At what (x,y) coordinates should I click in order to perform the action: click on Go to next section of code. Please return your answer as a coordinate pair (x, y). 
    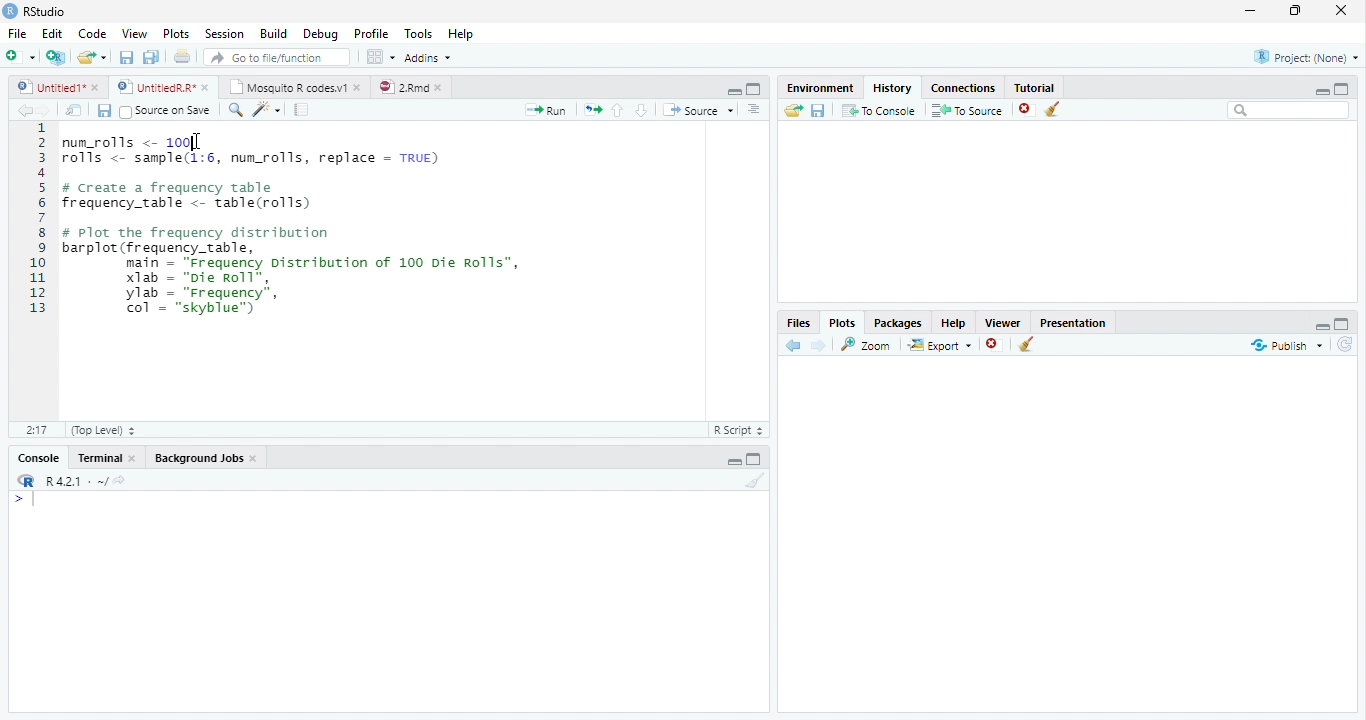
    Looking at the image, I should click on (642, 110).